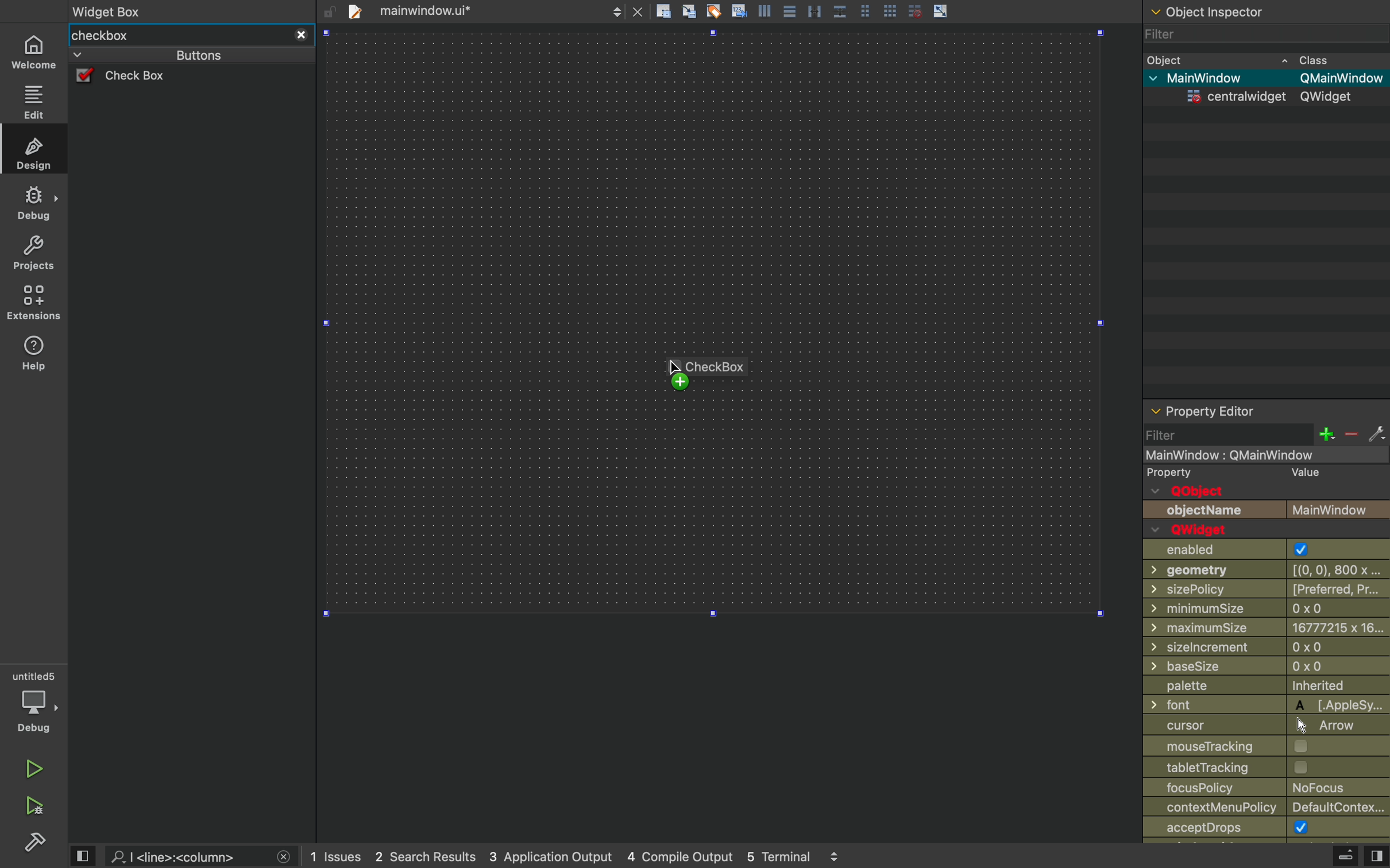  Describe the element at coordinates (177, 36) in the screenshot. I see `widget box` at that location.